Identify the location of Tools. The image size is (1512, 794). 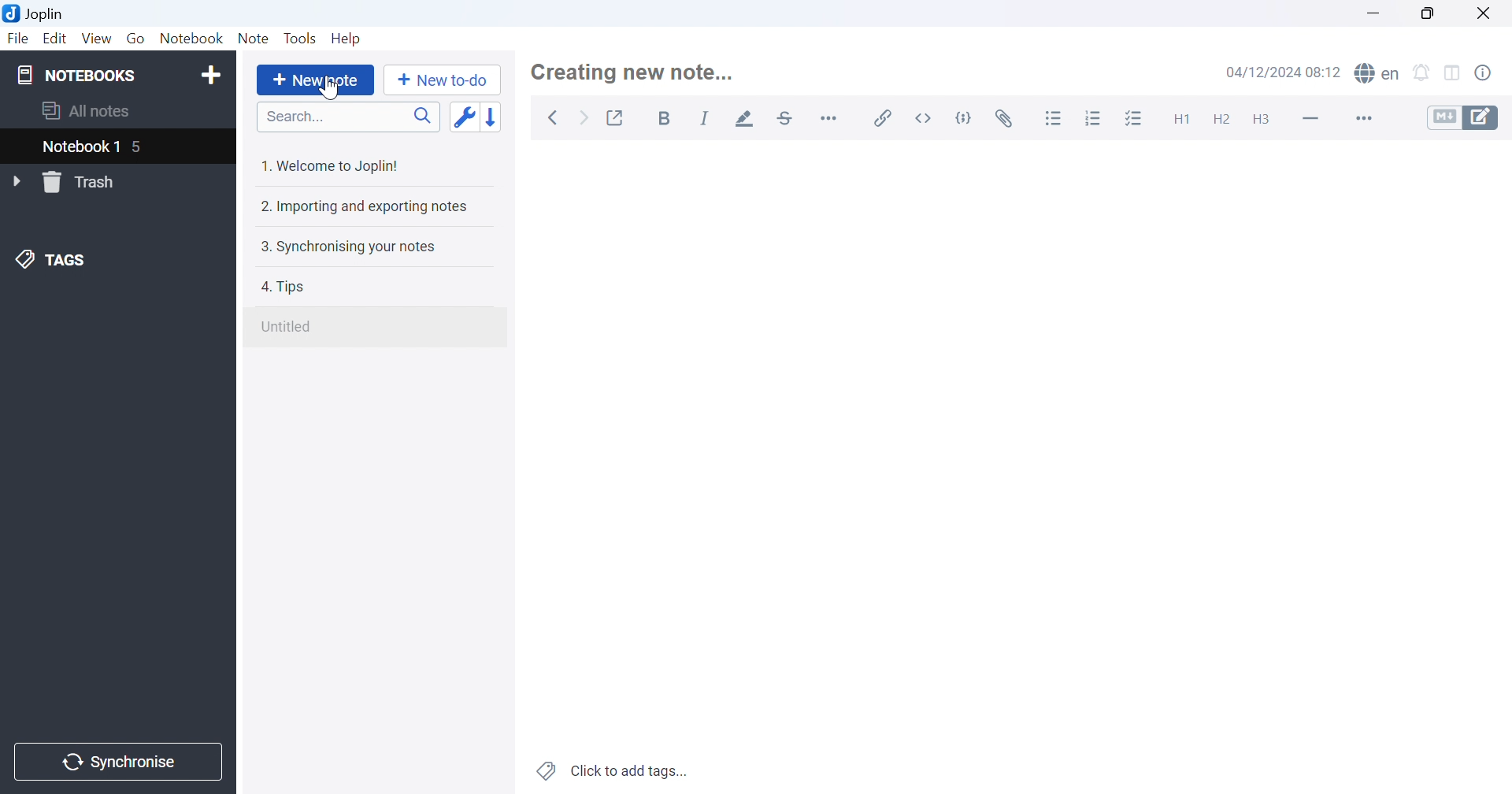
(302, 39).